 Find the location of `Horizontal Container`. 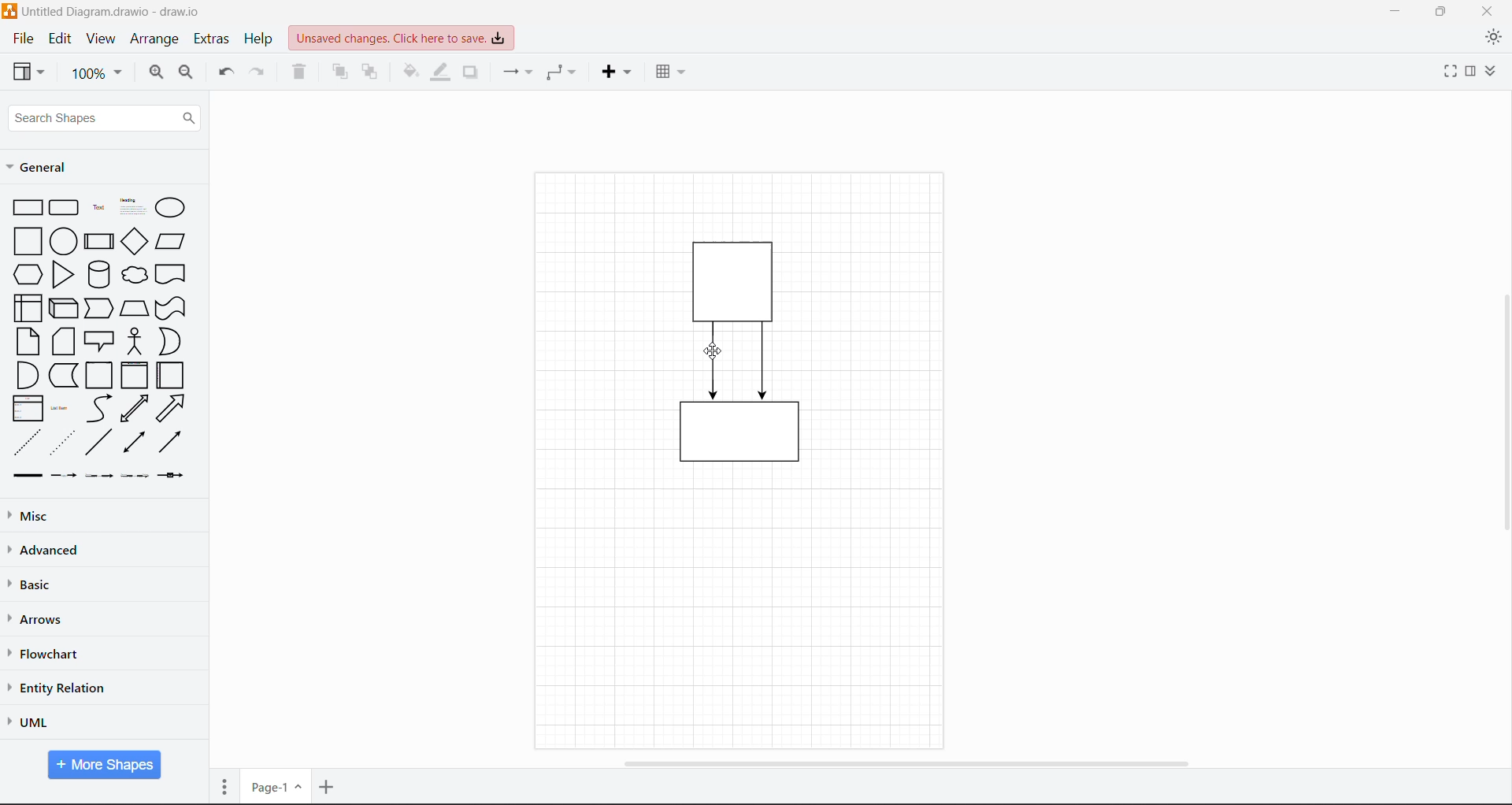

Horizontal Container is located at coordinates (171, 375).